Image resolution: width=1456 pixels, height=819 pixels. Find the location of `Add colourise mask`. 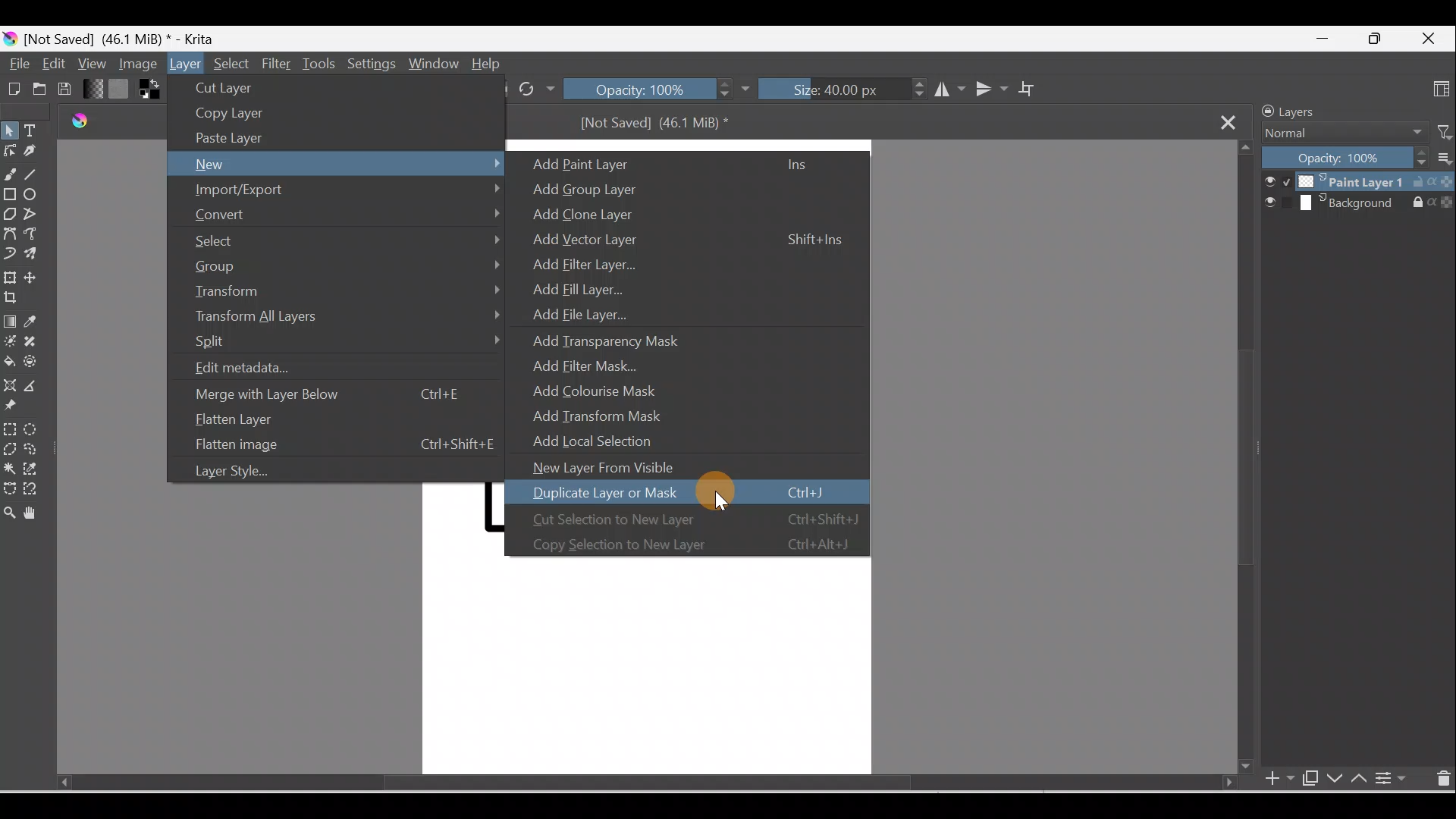

Add colourise mask is located at coordinates (607, 392).